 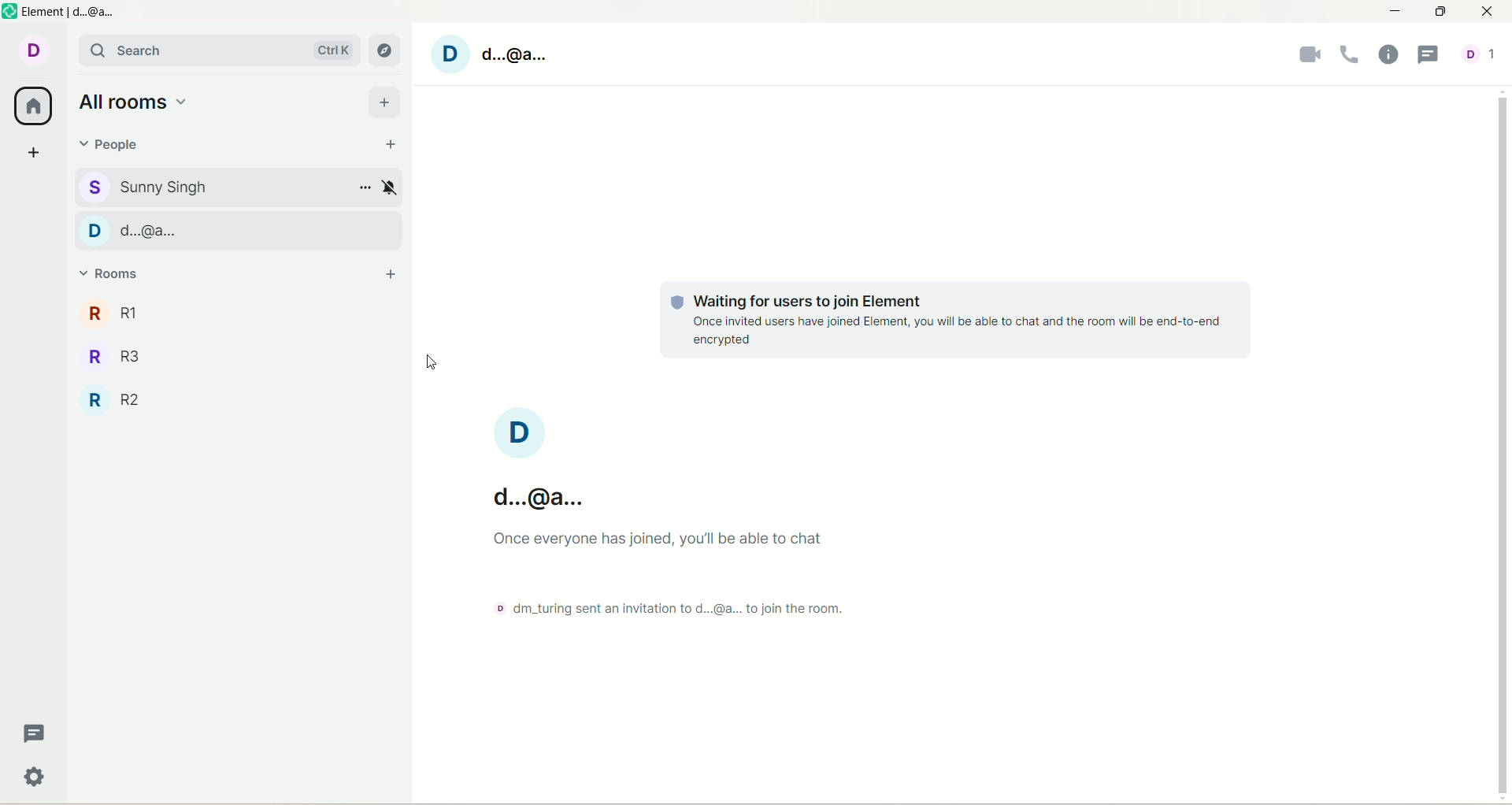 I want to click on d...@..., so click(x=235, y=228).